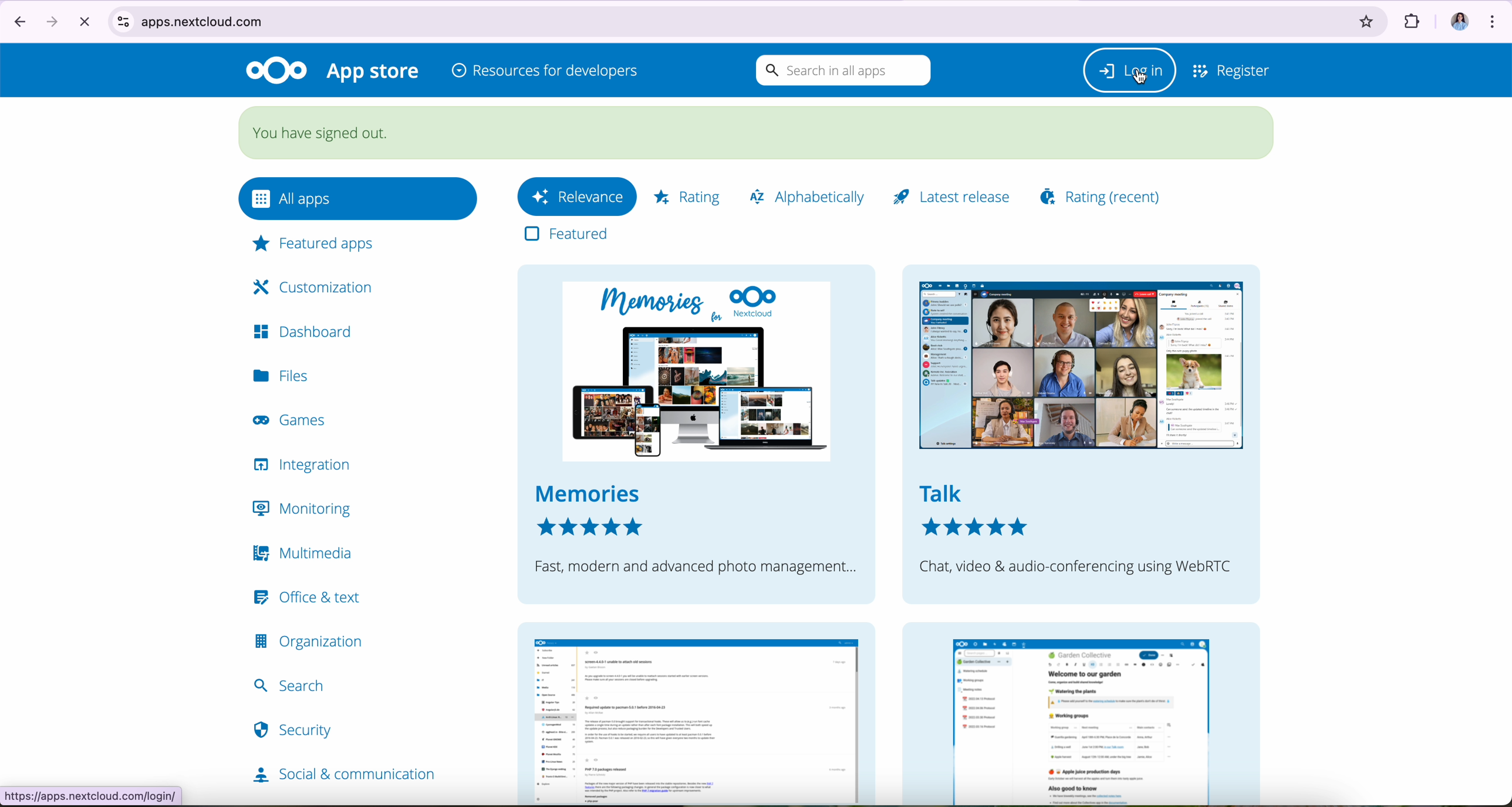  What do you see at coordinates (1115, 67) in the screenshot?
I see `Log in button` at bounding box center [1115, 67].